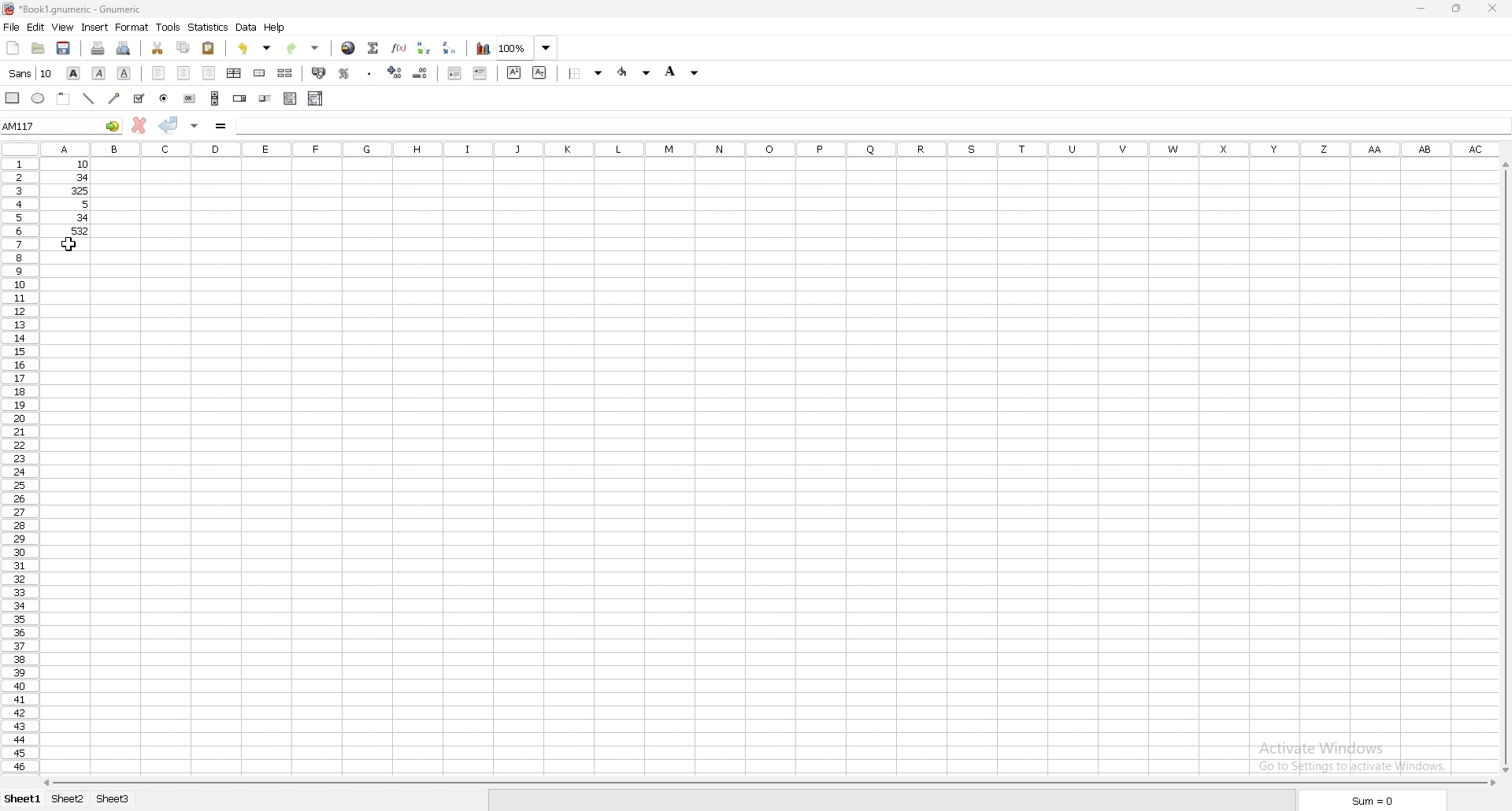  Describe the element at coordinates (71, 165) in the screenshot. I see `10` at that location.